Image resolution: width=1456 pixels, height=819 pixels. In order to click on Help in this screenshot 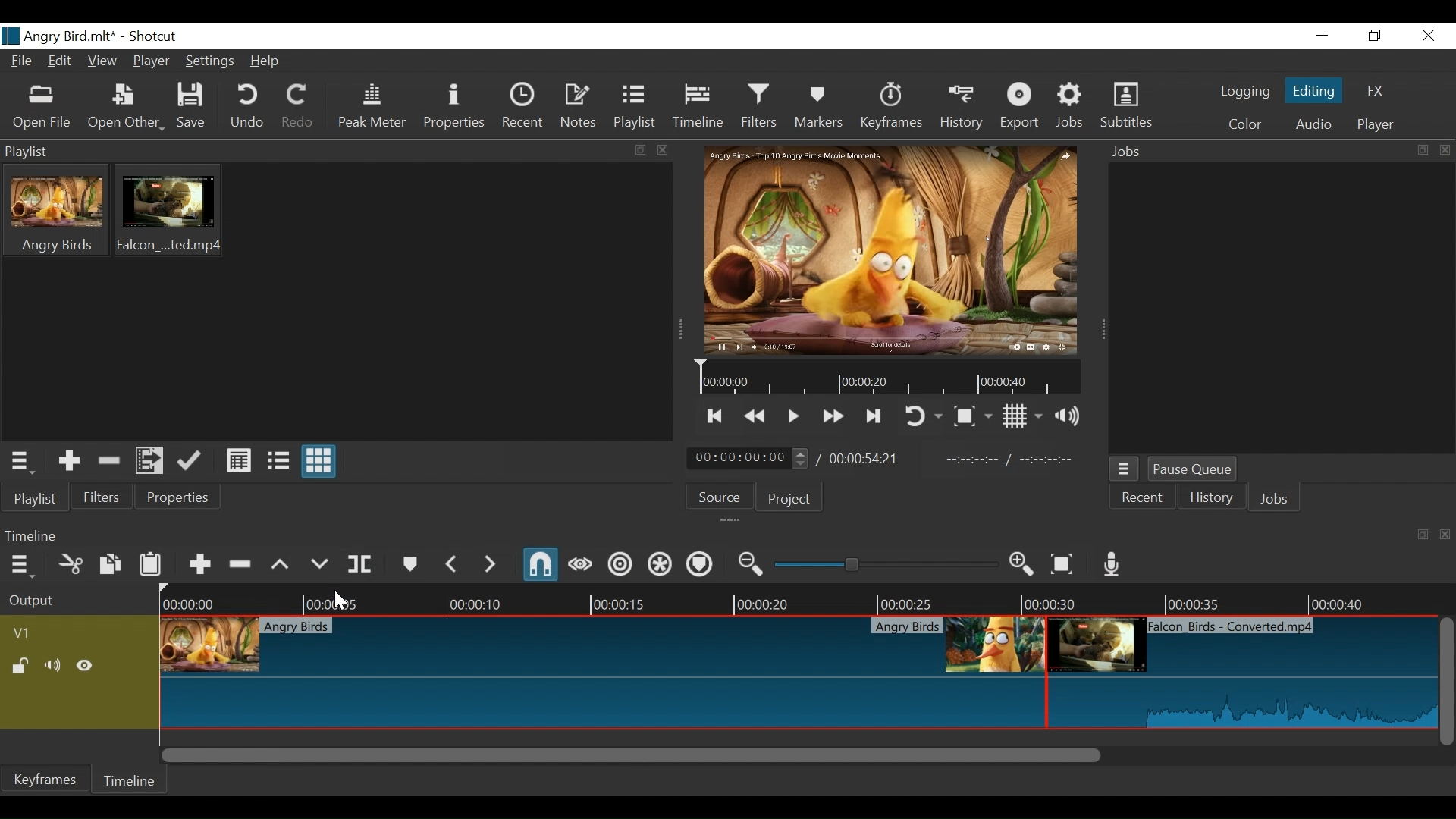, I will do `click(265, 62)`.